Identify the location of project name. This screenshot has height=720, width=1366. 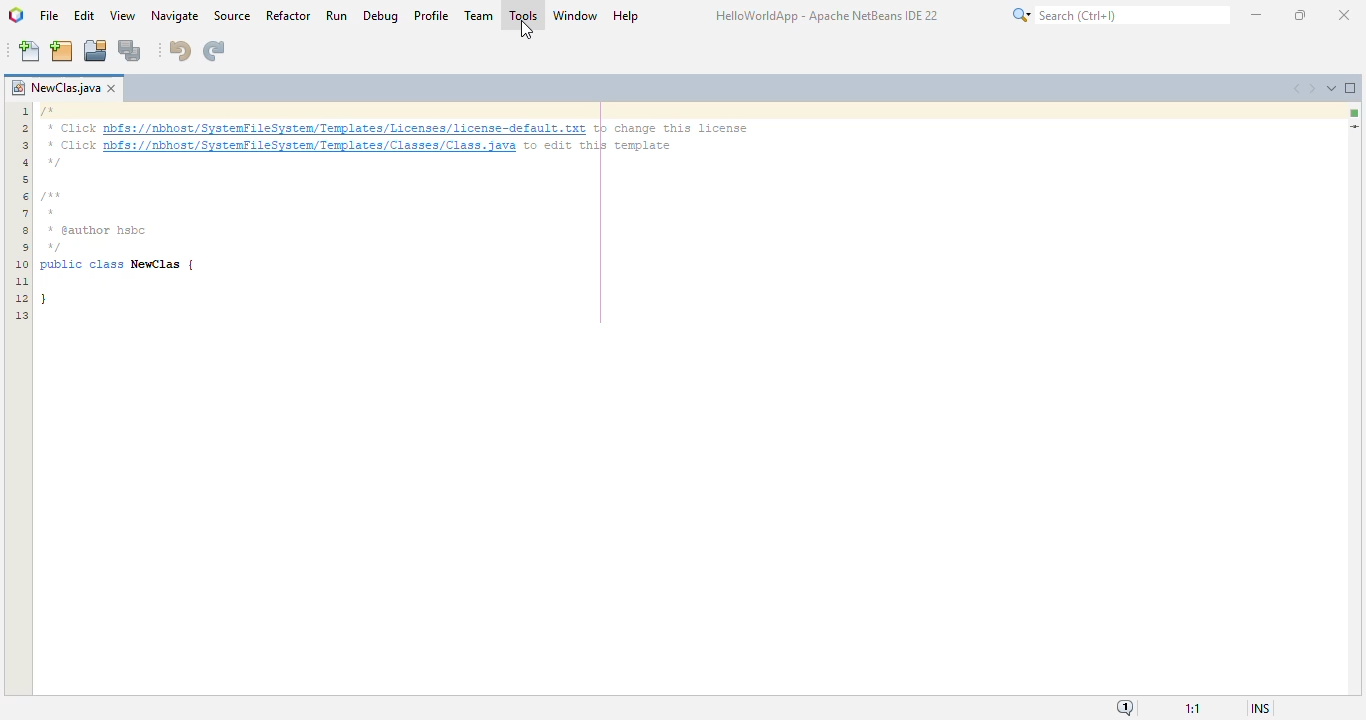
(53, 88).